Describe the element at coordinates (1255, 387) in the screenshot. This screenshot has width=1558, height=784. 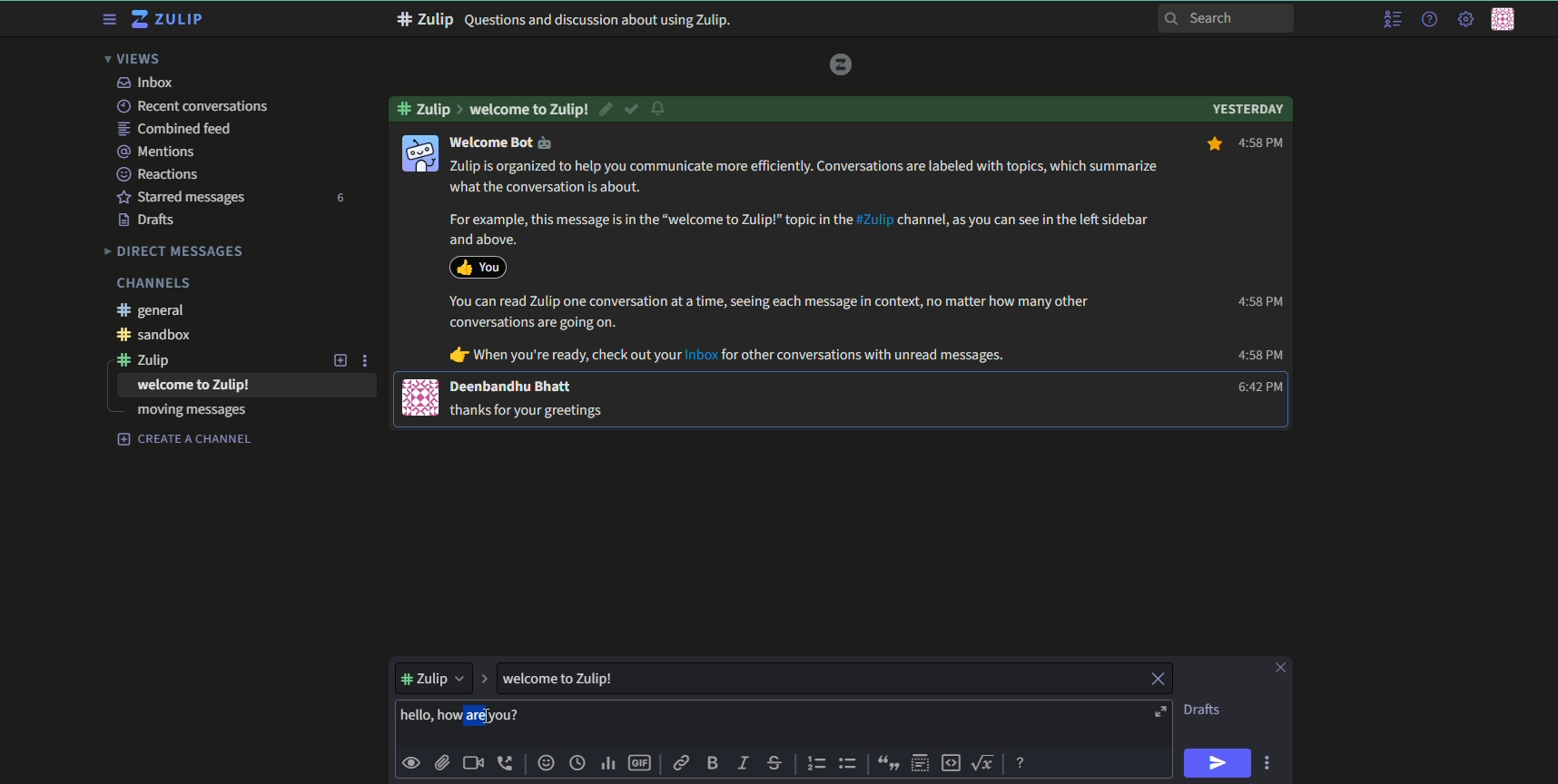
I see `6:42 PM` at that location.